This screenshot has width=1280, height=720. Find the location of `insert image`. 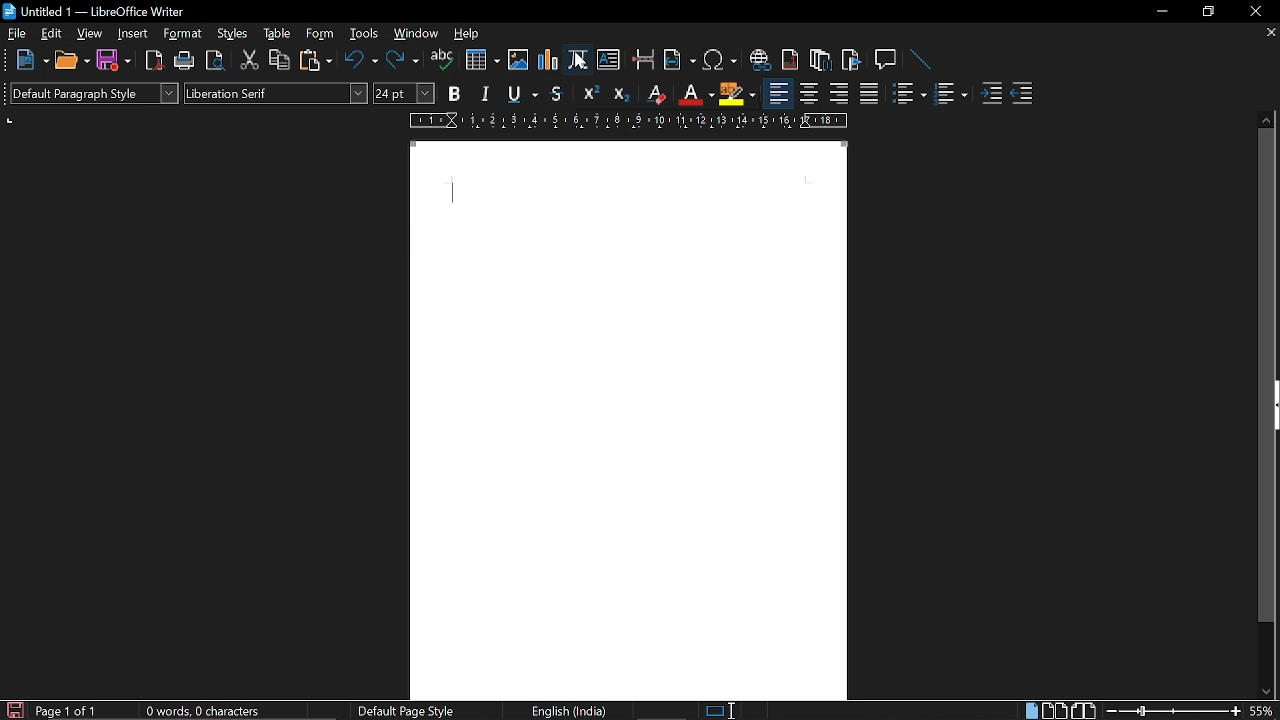

insert image is located at coordinates (519, 58).